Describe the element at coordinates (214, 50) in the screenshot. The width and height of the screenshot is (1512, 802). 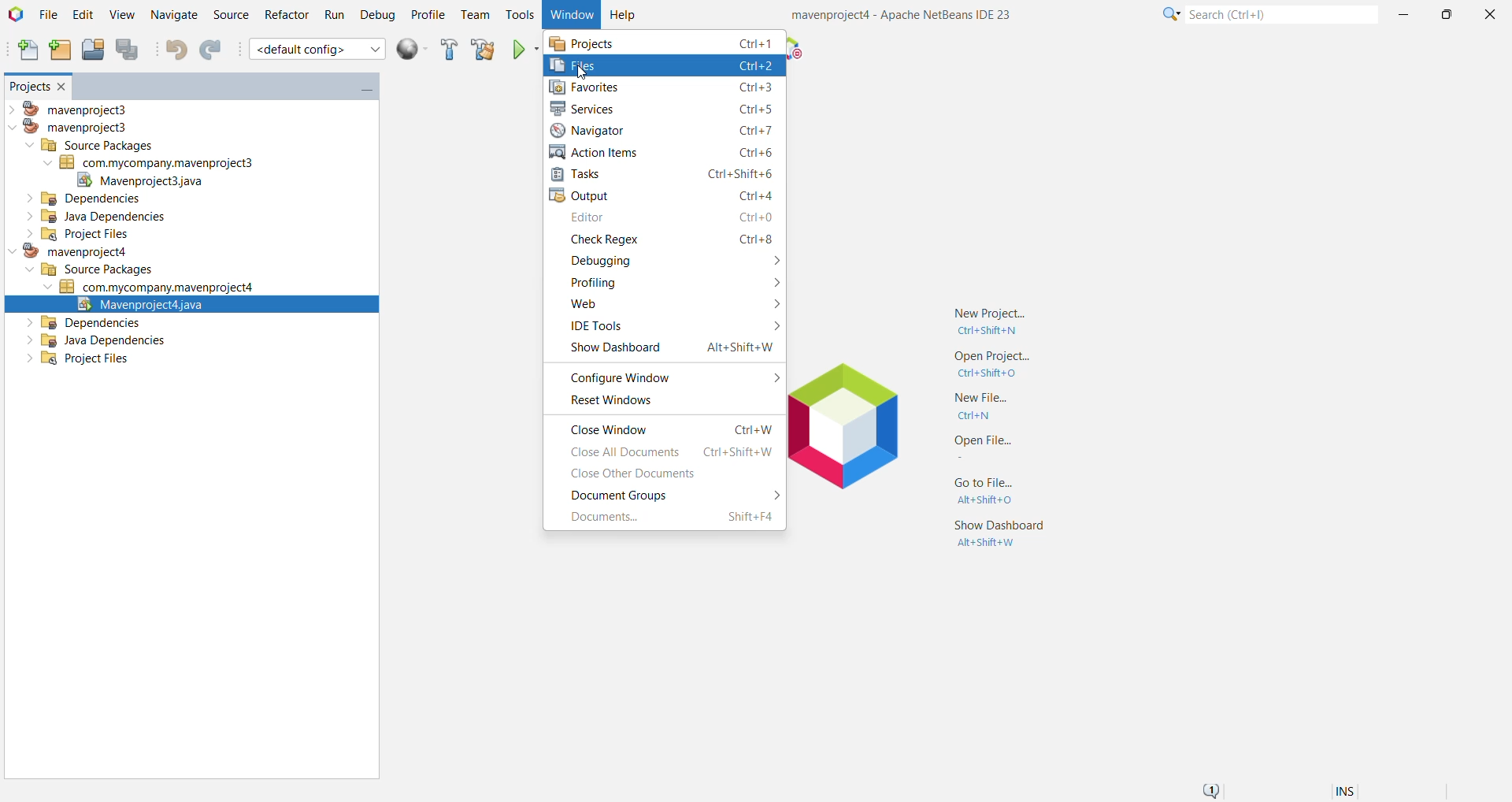
I see `Redo` at that location.